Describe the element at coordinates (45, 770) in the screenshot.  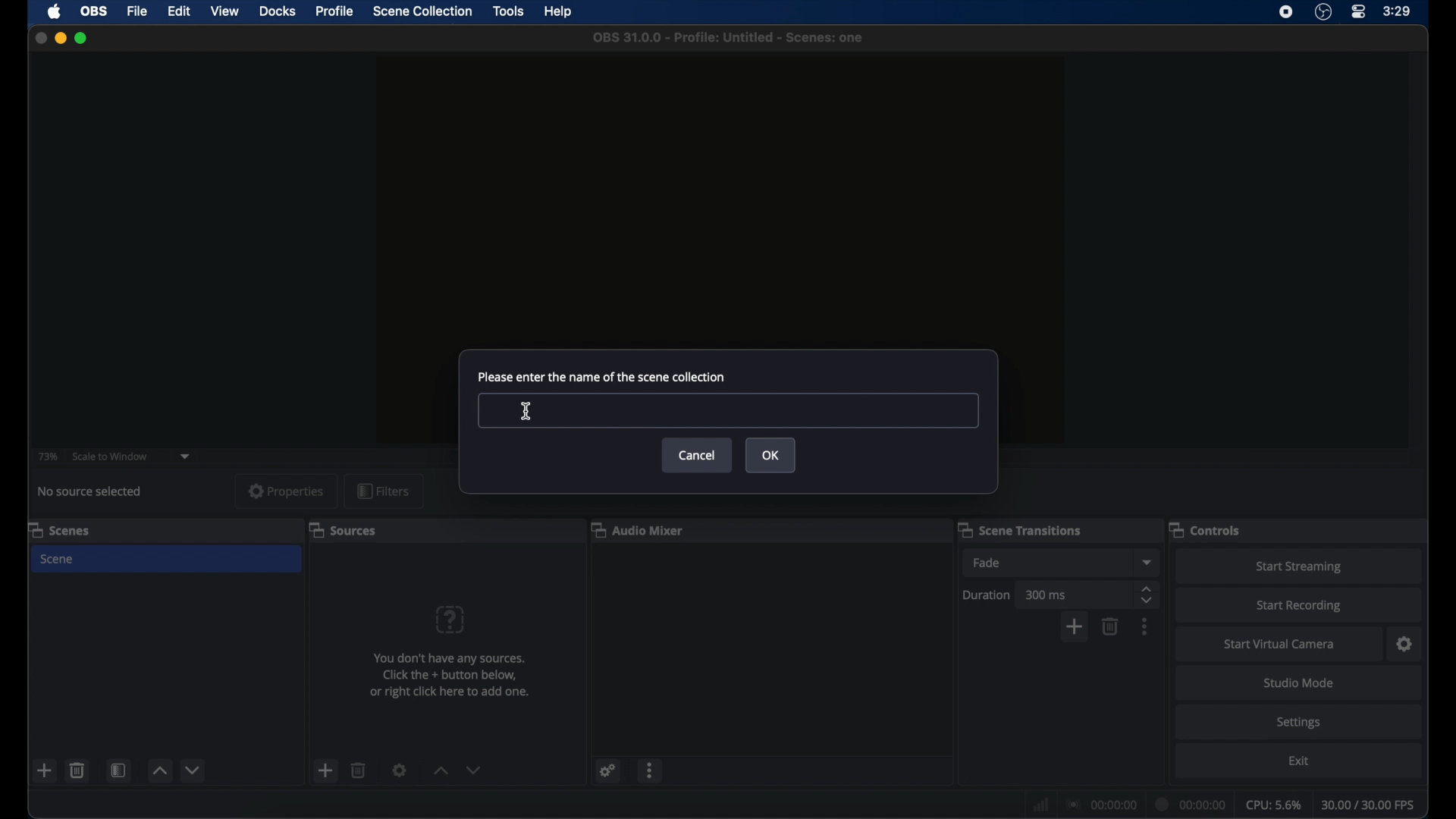
I see `add` at that location.